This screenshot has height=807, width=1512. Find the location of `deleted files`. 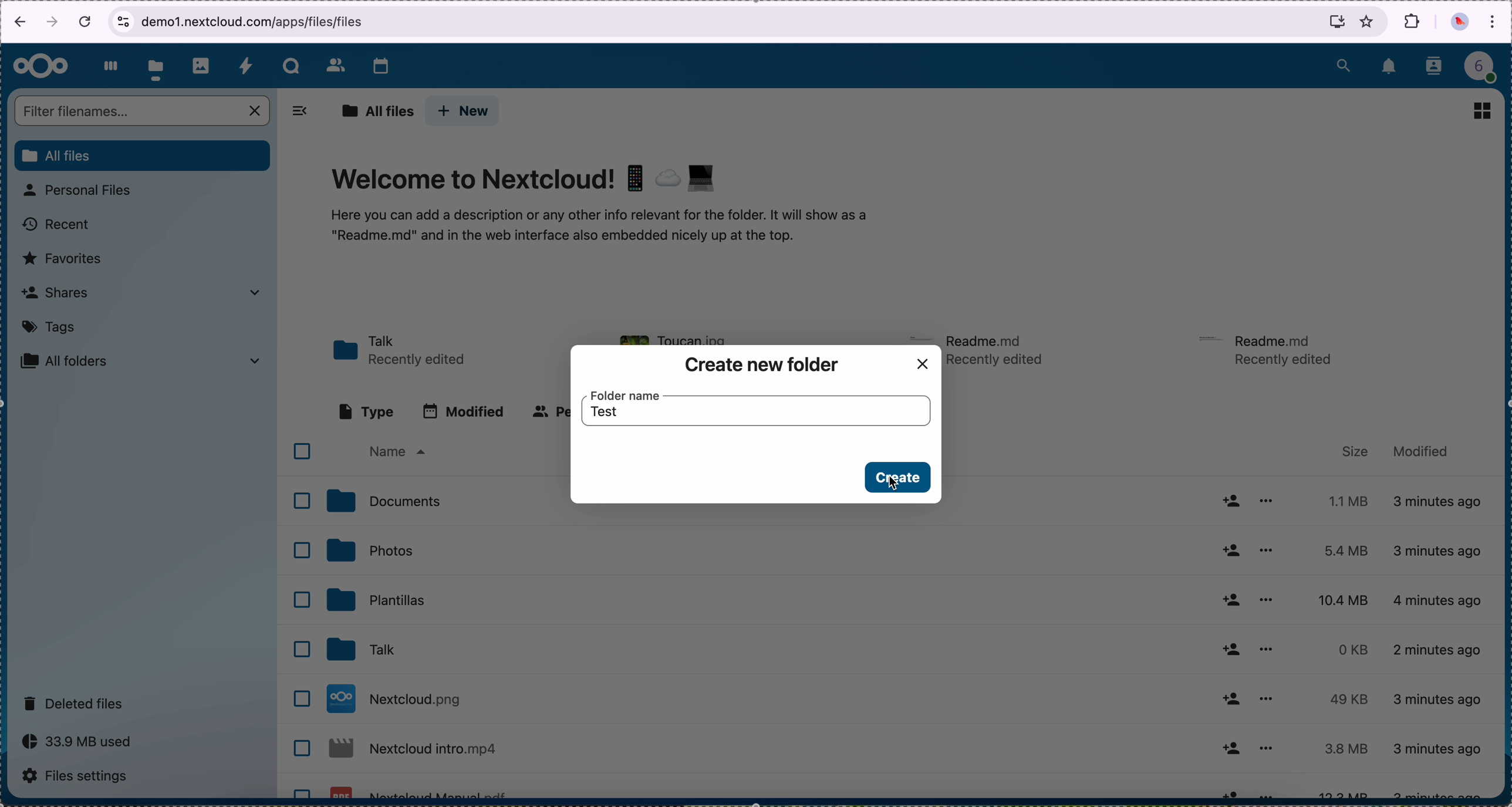

deleted files is located at coordinates (76, 703).